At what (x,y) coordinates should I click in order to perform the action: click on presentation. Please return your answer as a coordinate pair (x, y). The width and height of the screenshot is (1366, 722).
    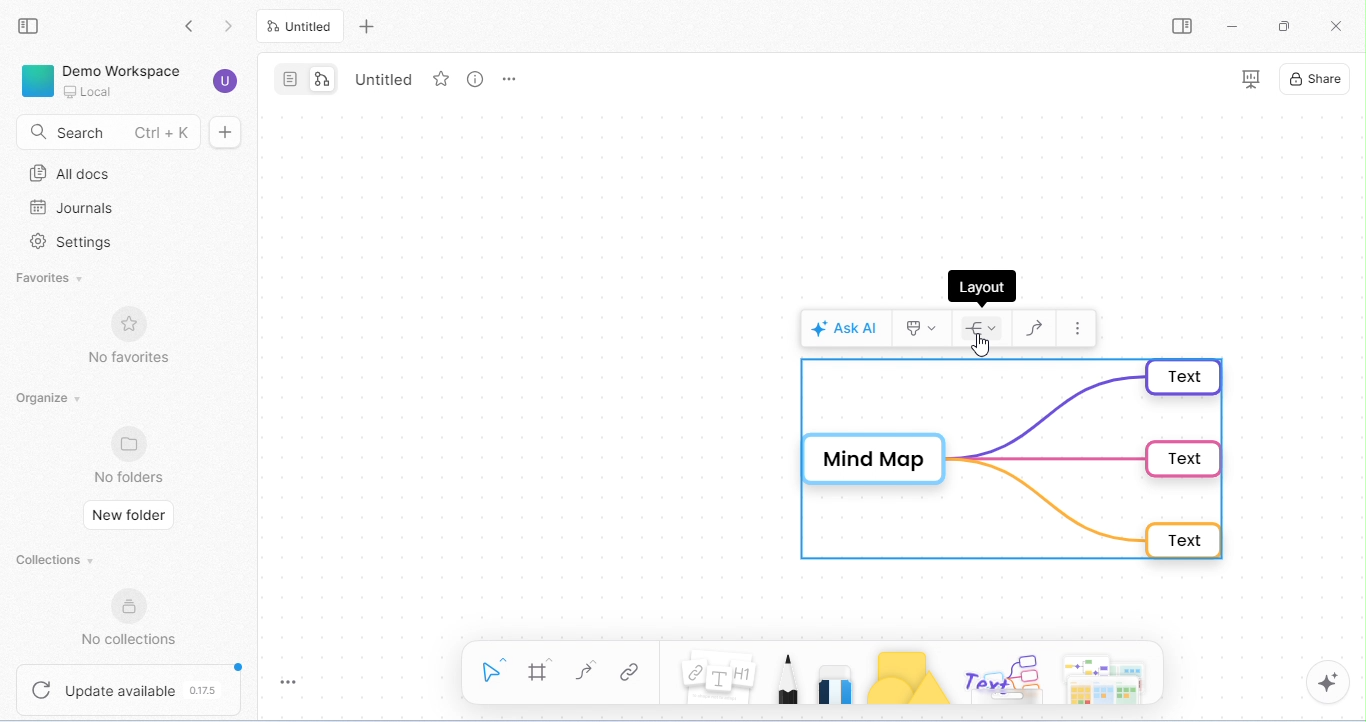
    Looking at the image, I should click on (1246, 79).